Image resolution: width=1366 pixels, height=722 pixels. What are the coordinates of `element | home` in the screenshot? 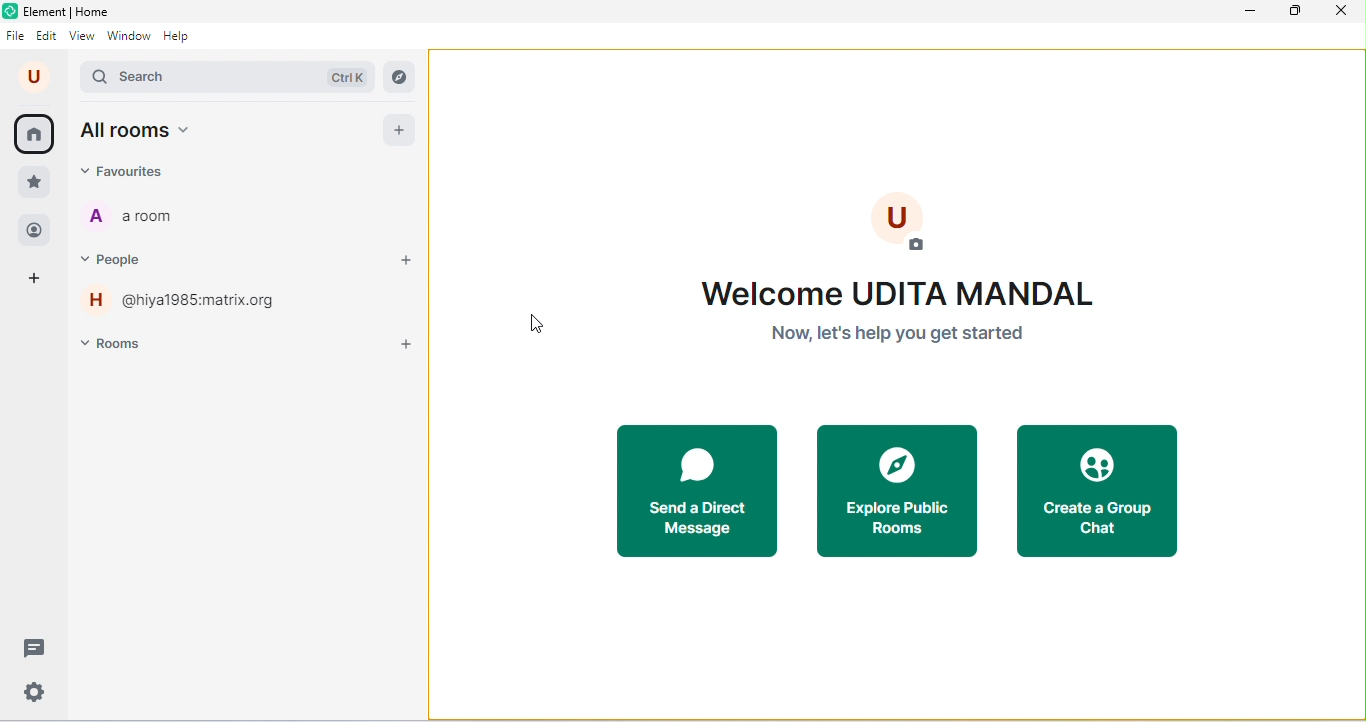 It's located at (67, 12).